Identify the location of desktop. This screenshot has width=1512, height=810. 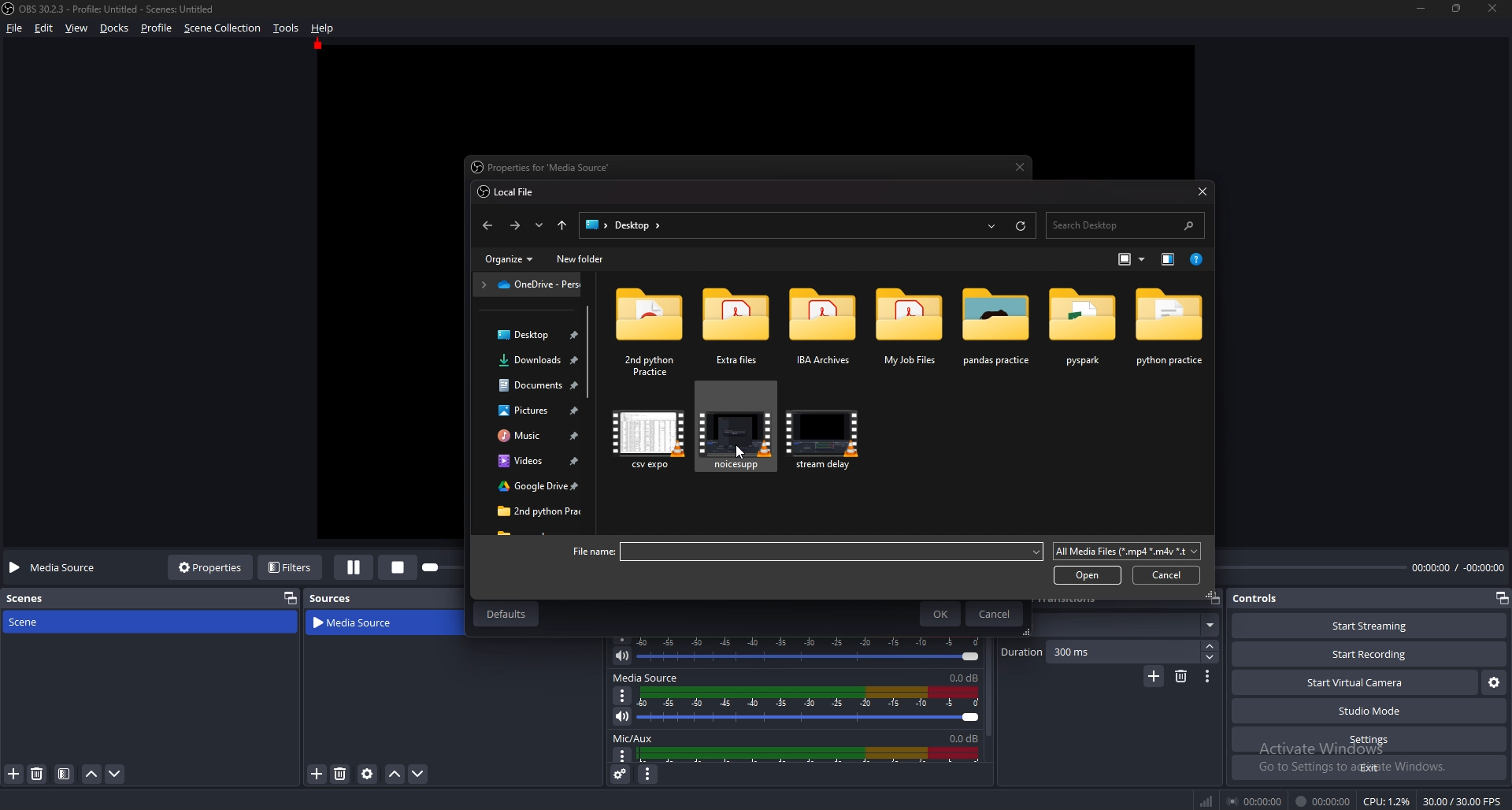
(626, 225).